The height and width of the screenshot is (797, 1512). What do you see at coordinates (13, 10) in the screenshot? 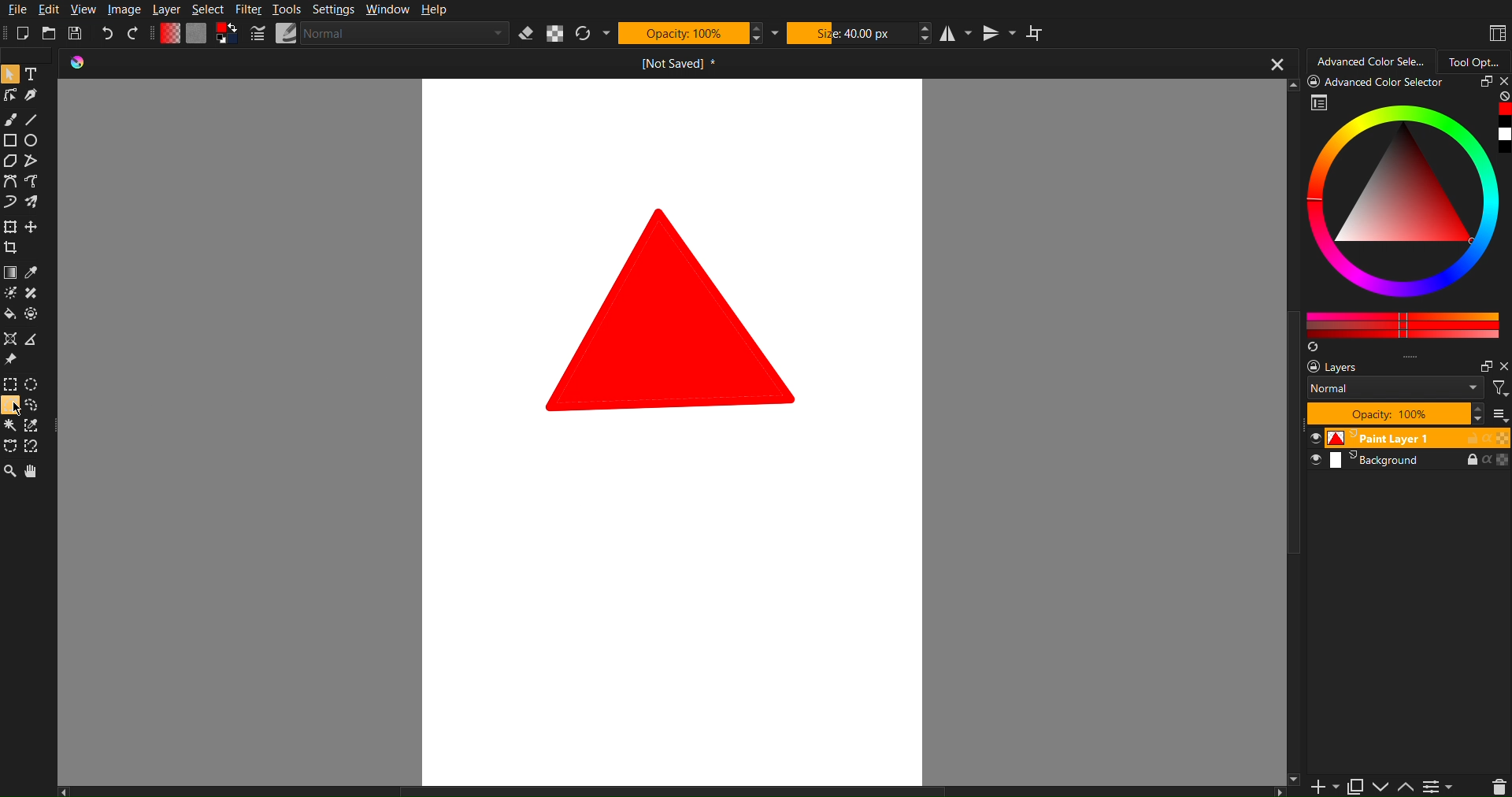
I see `File` at bounding box center [13, 10].